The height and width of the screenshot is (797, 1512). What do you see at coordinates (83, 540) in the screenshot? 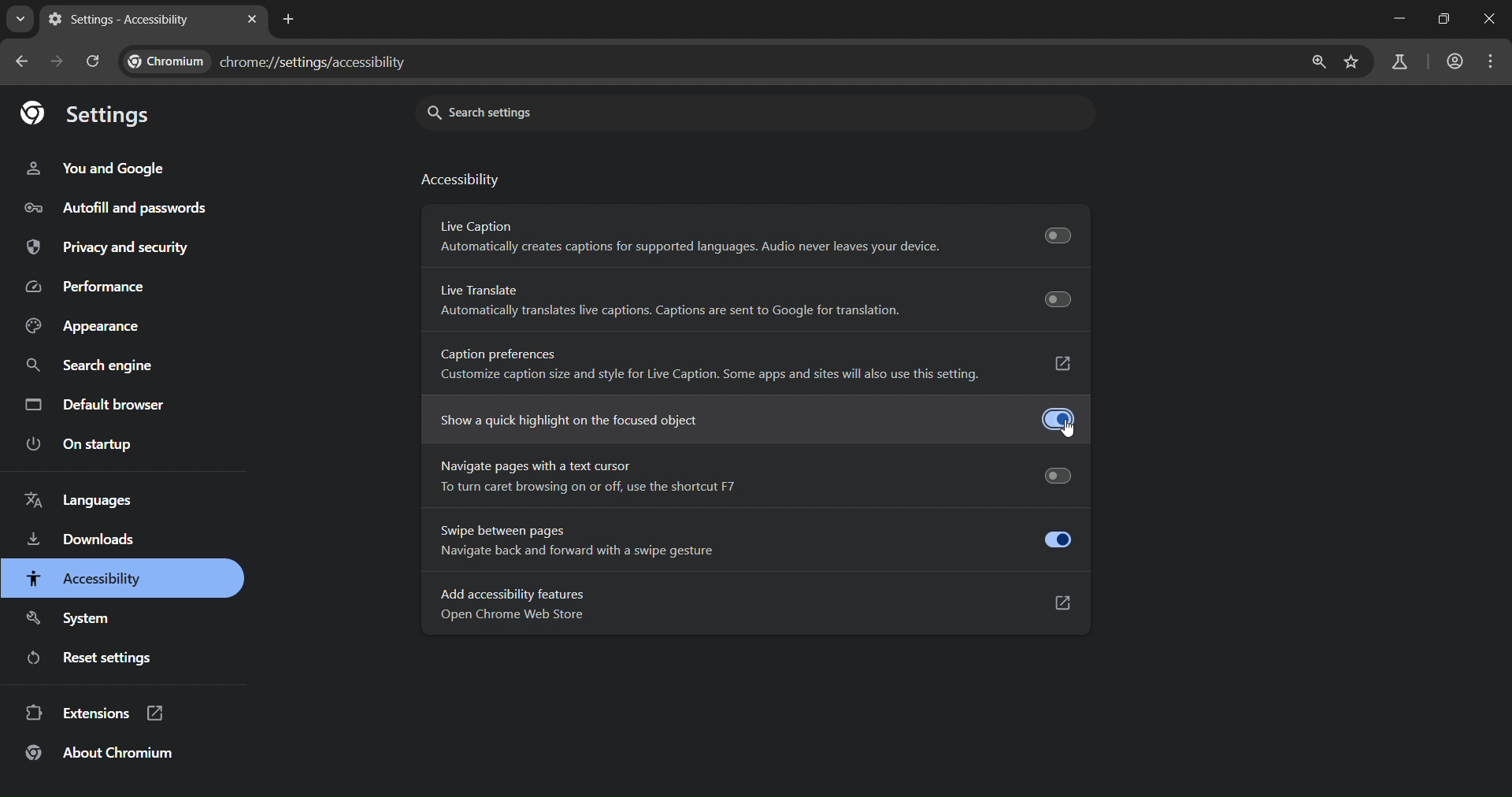
I see `downloads` at bounding box center [83, 540].